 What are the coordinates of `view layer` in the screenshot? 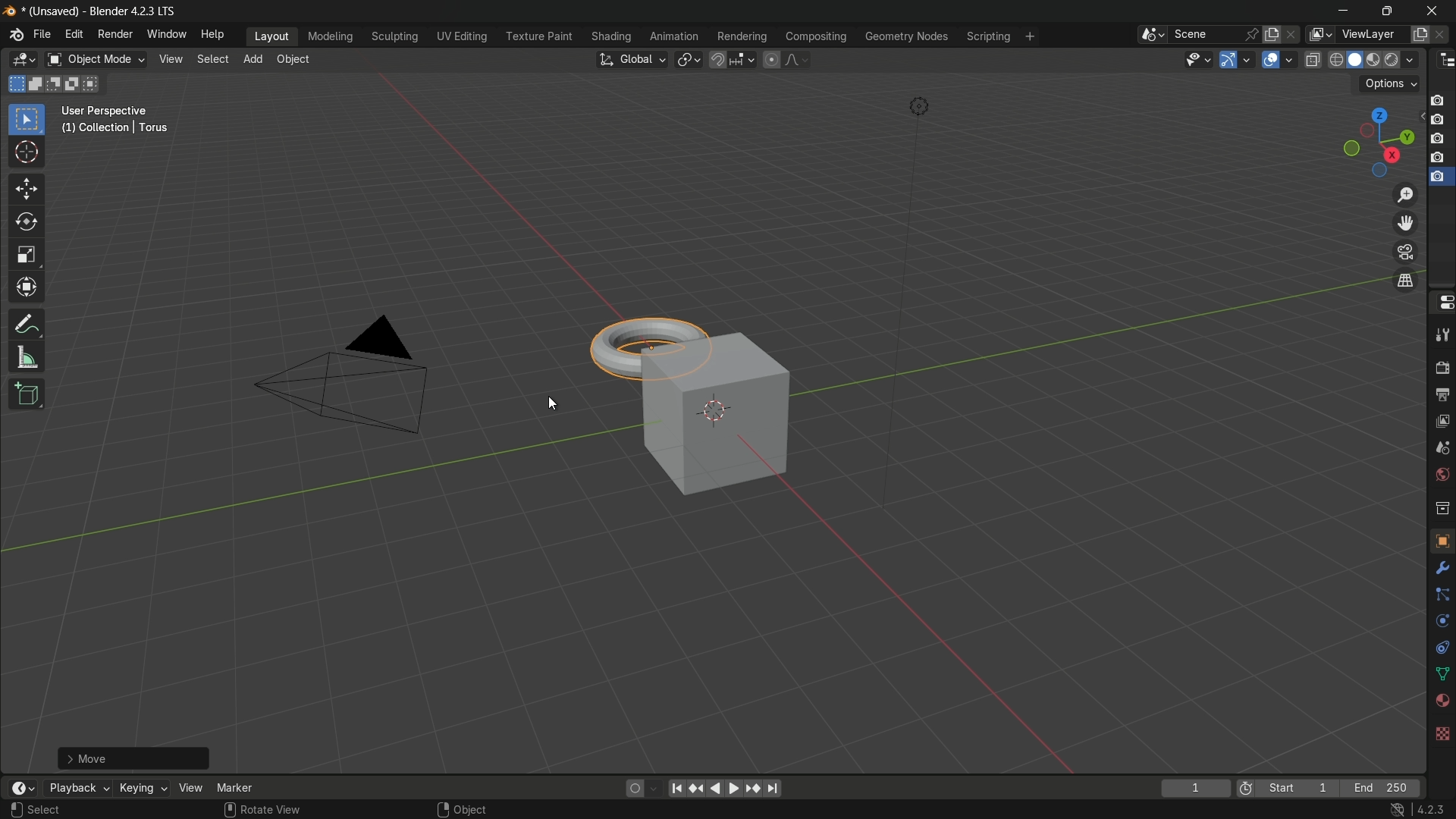 It's located at (1318, 34).